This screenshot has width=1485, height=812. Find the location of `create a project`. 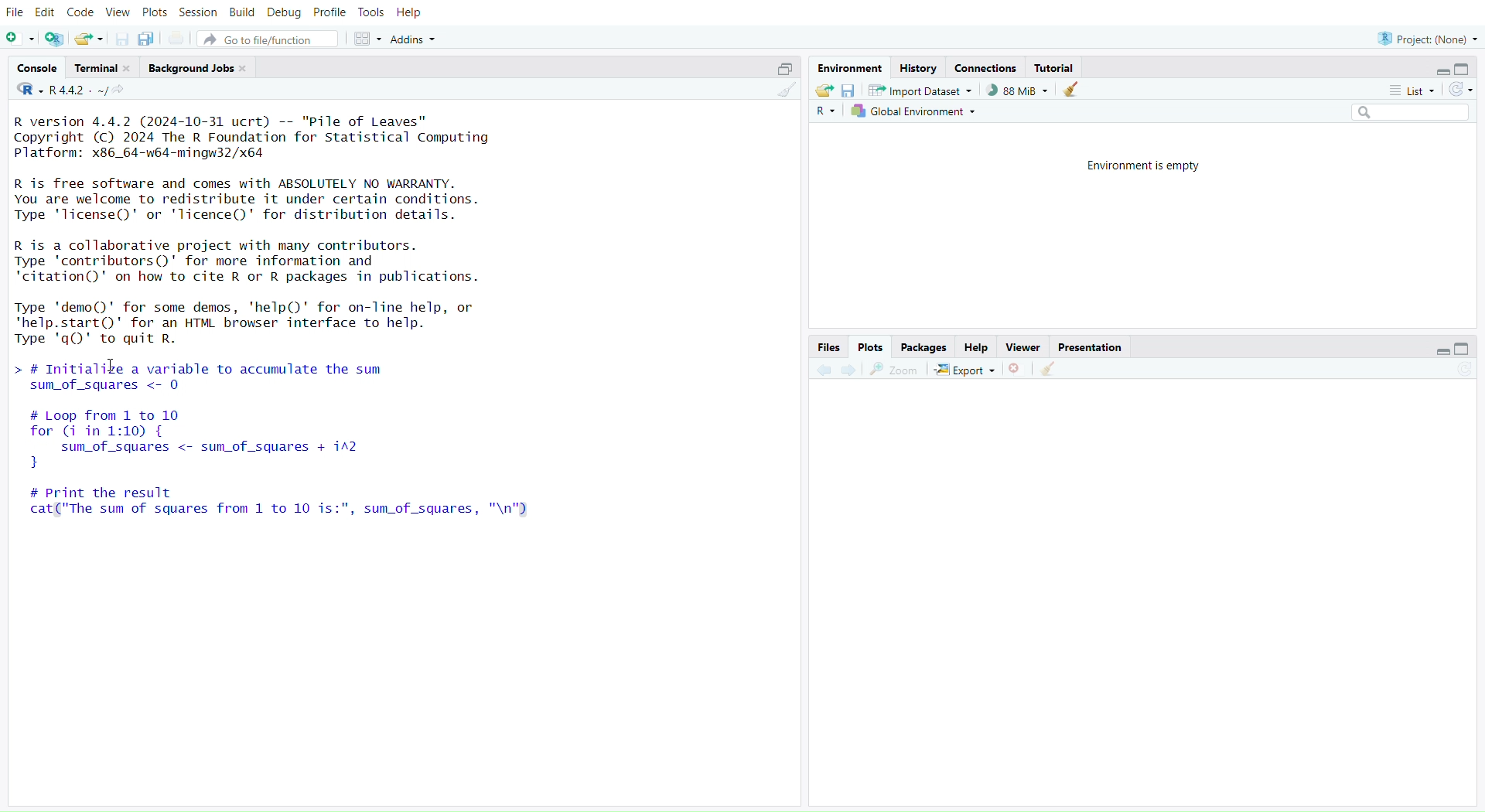

create a project is located at coordinates (54, 39).